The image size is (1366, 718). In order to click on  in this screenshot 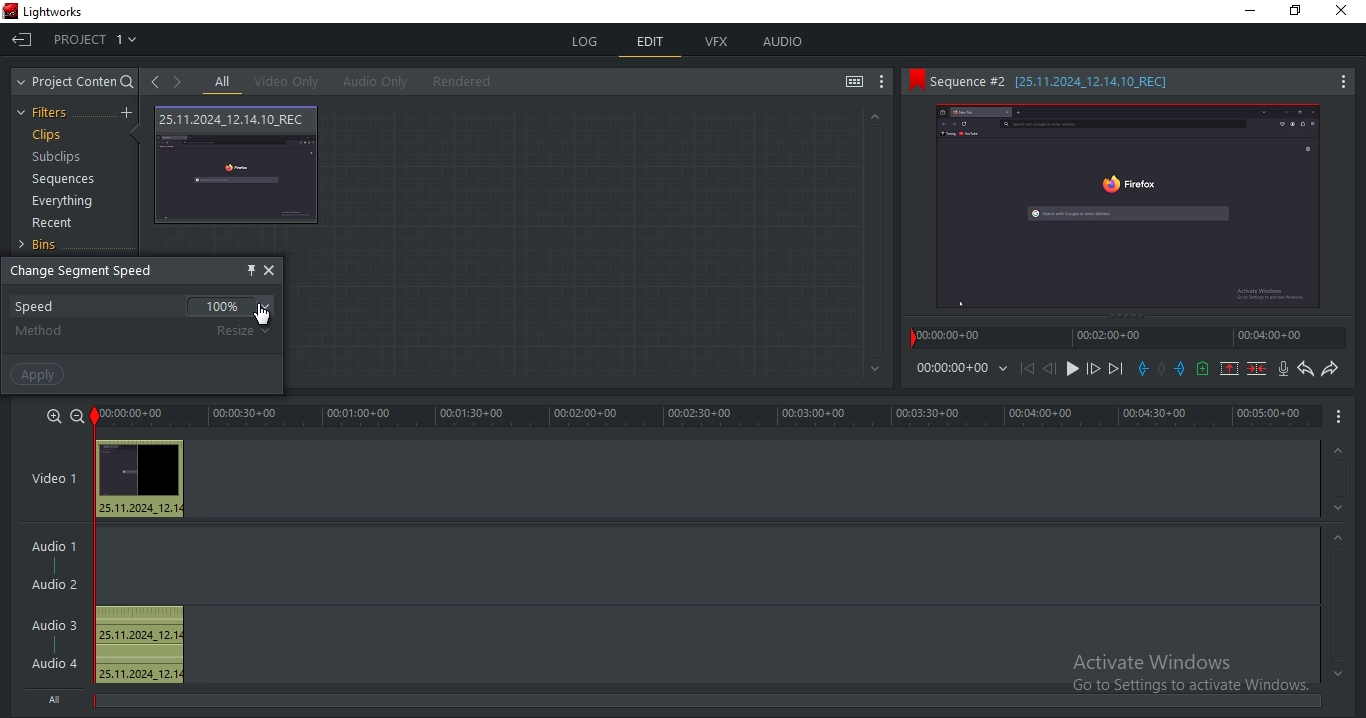, I will do `click(178, 82)`.